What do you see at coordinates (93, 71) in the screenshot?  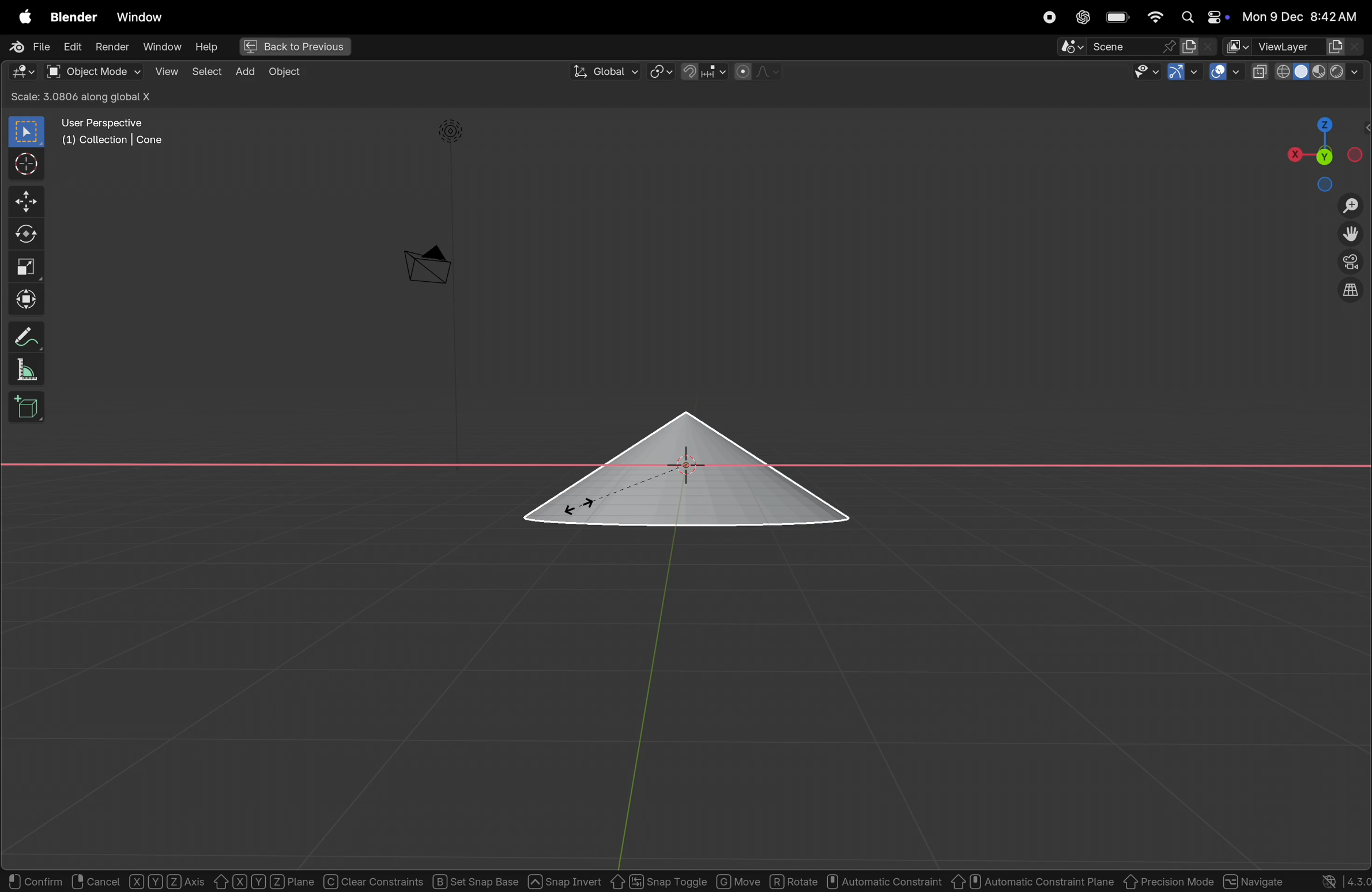 I see `object mode` at bounding box center [93, 71].